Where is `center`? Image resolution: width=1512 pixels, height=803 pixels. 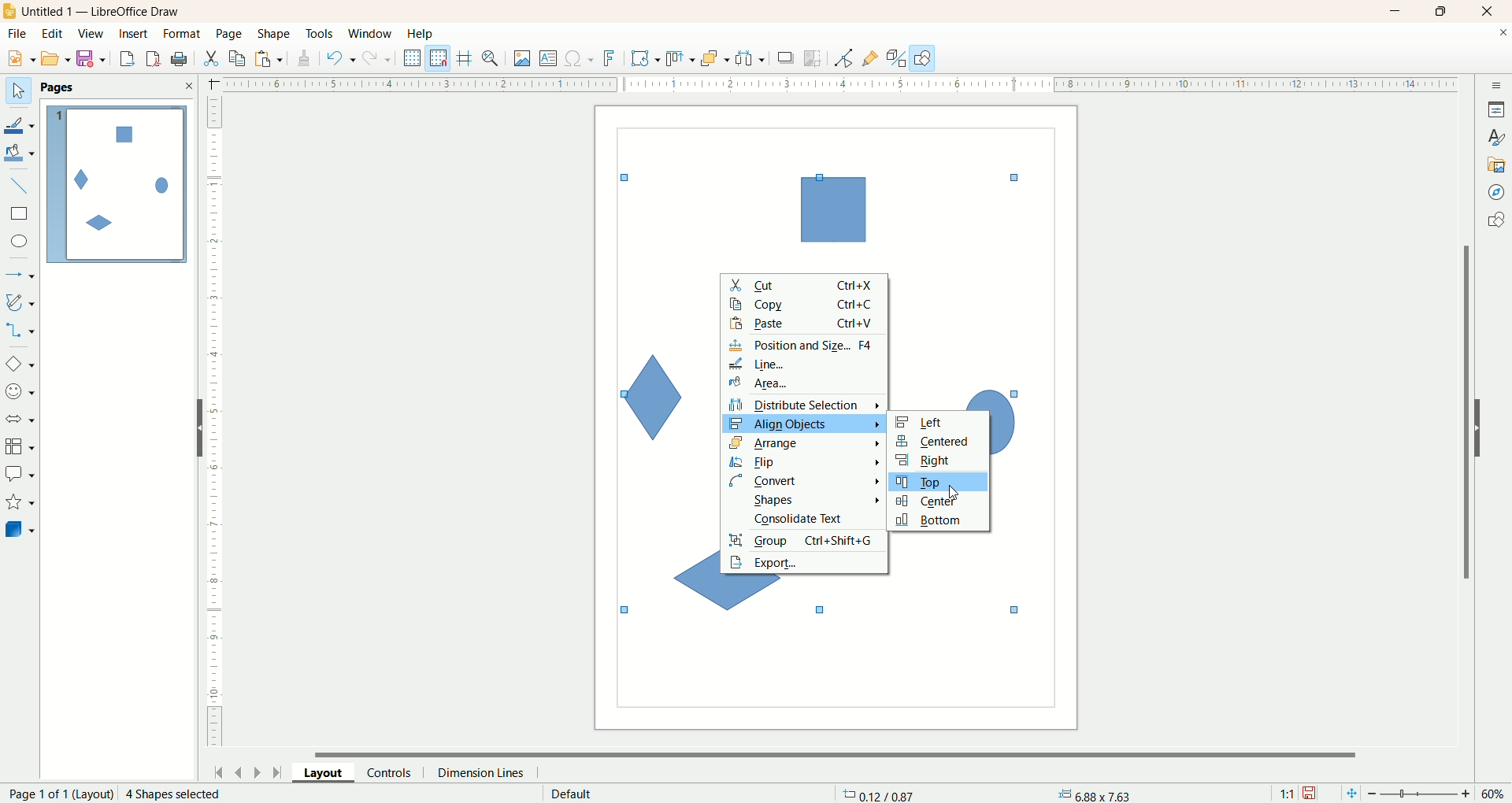
center is located at coordinates (935, 503).